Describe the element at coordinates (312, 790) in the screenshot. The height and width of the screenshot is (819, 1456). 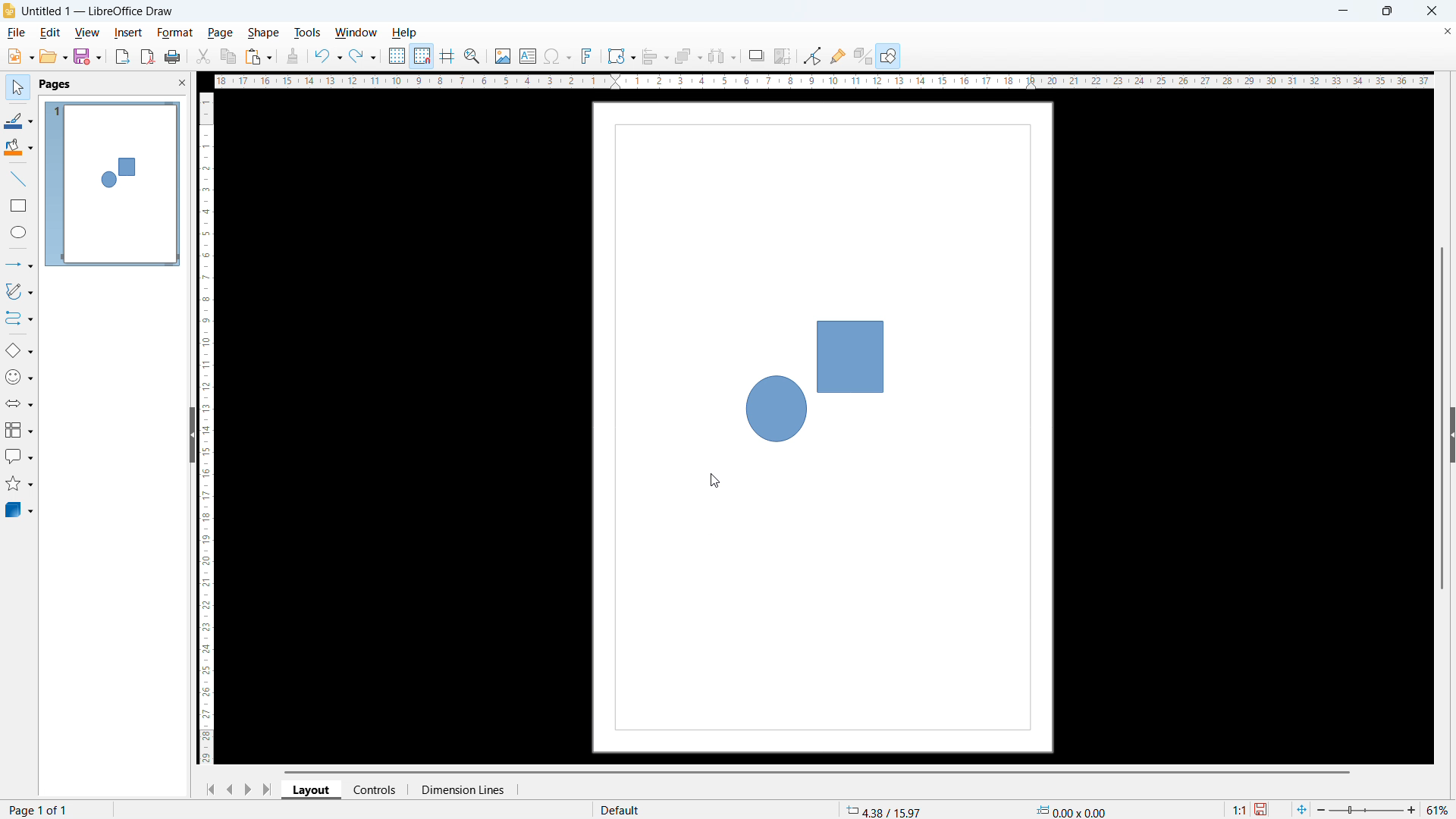
I see `layout` at that location.